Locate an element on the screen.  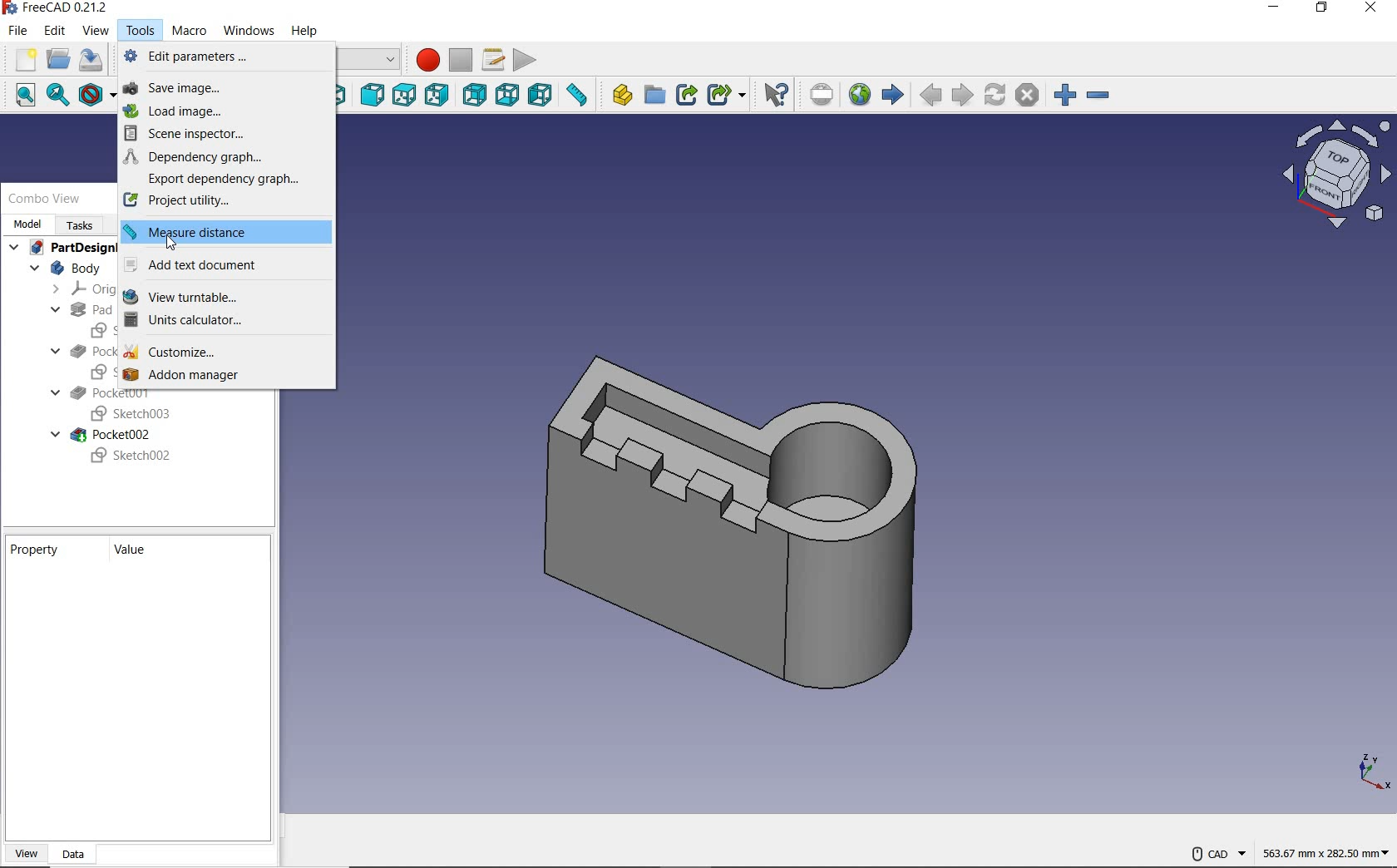
PAD is located at coordinates (80, 310).